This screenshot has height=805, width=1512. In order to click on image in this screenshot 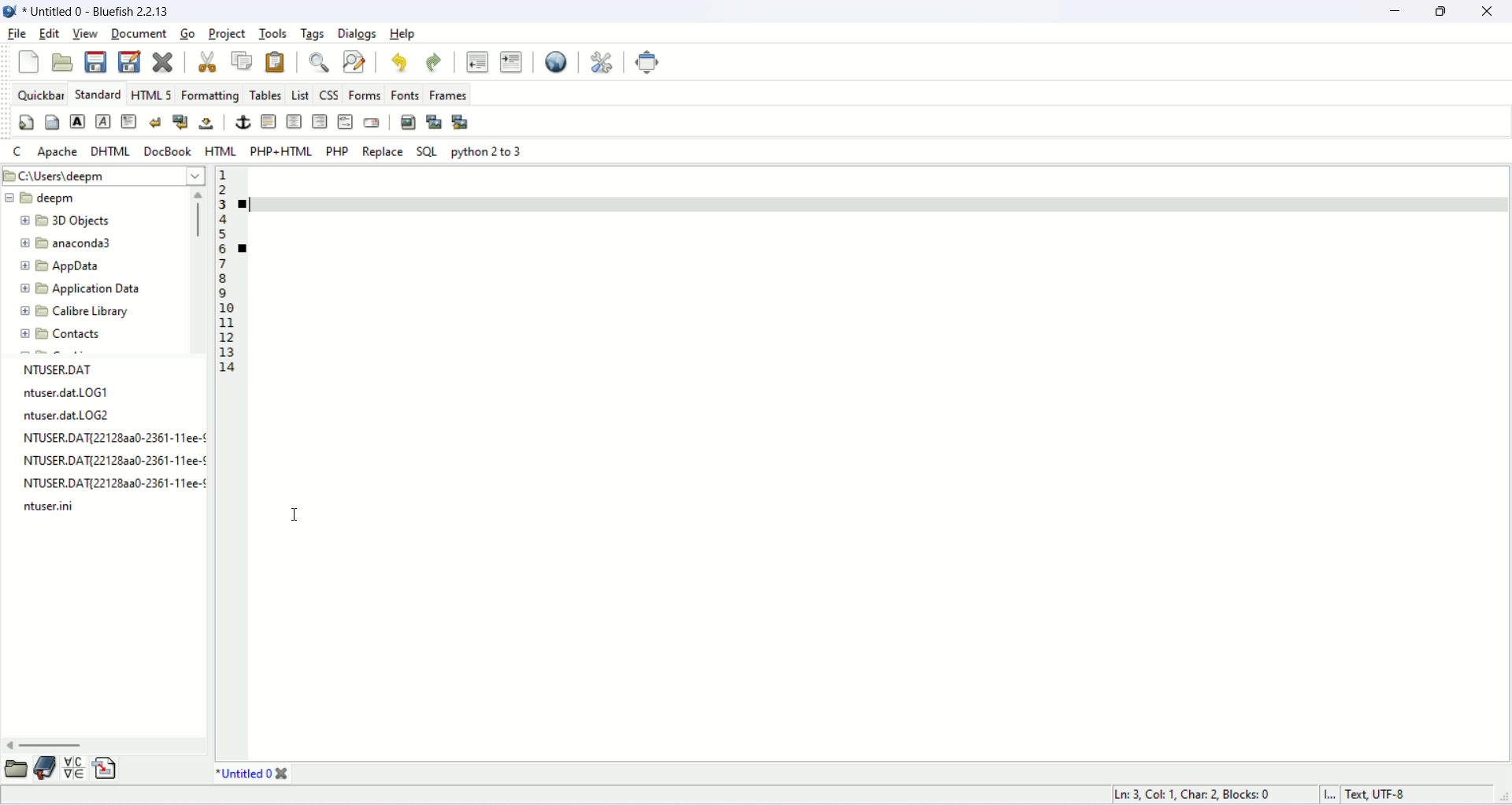, I will do `click(11, 13)`.